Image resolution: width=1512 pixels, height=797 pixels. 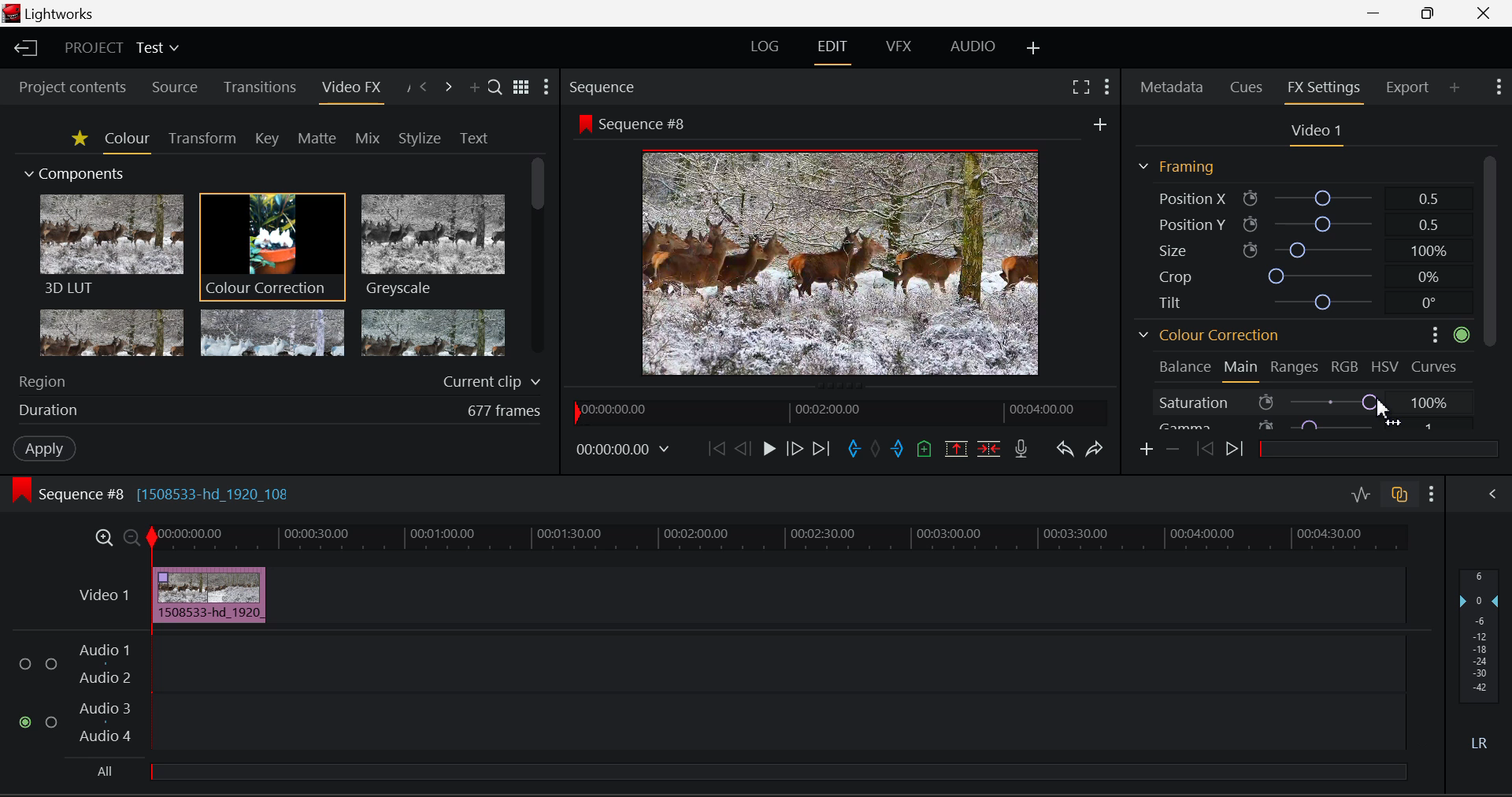 I want to click on Metadata, so click(x=1172, y=88).